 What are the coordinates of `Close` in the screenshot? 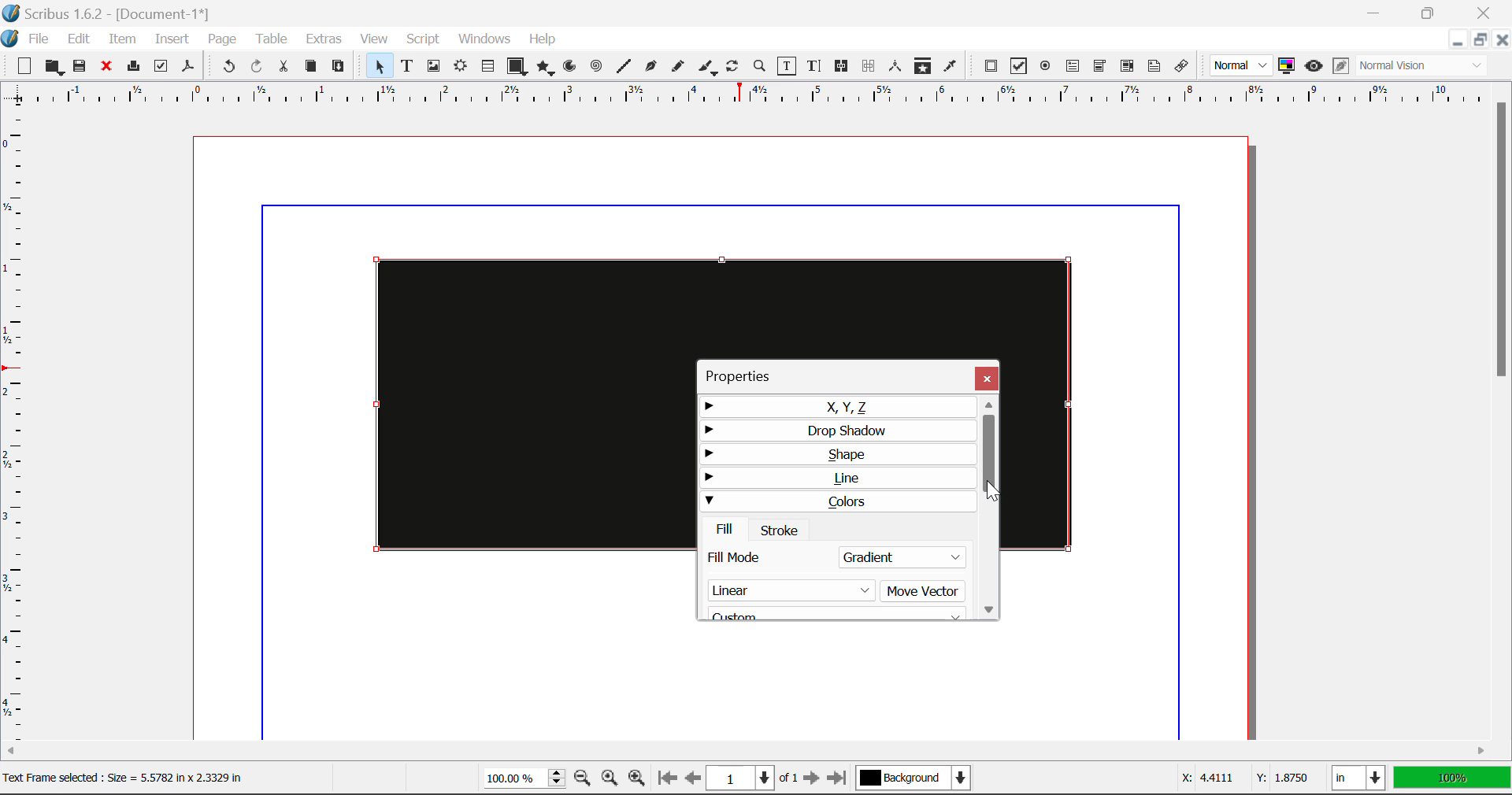 It's located at (1501, 39).